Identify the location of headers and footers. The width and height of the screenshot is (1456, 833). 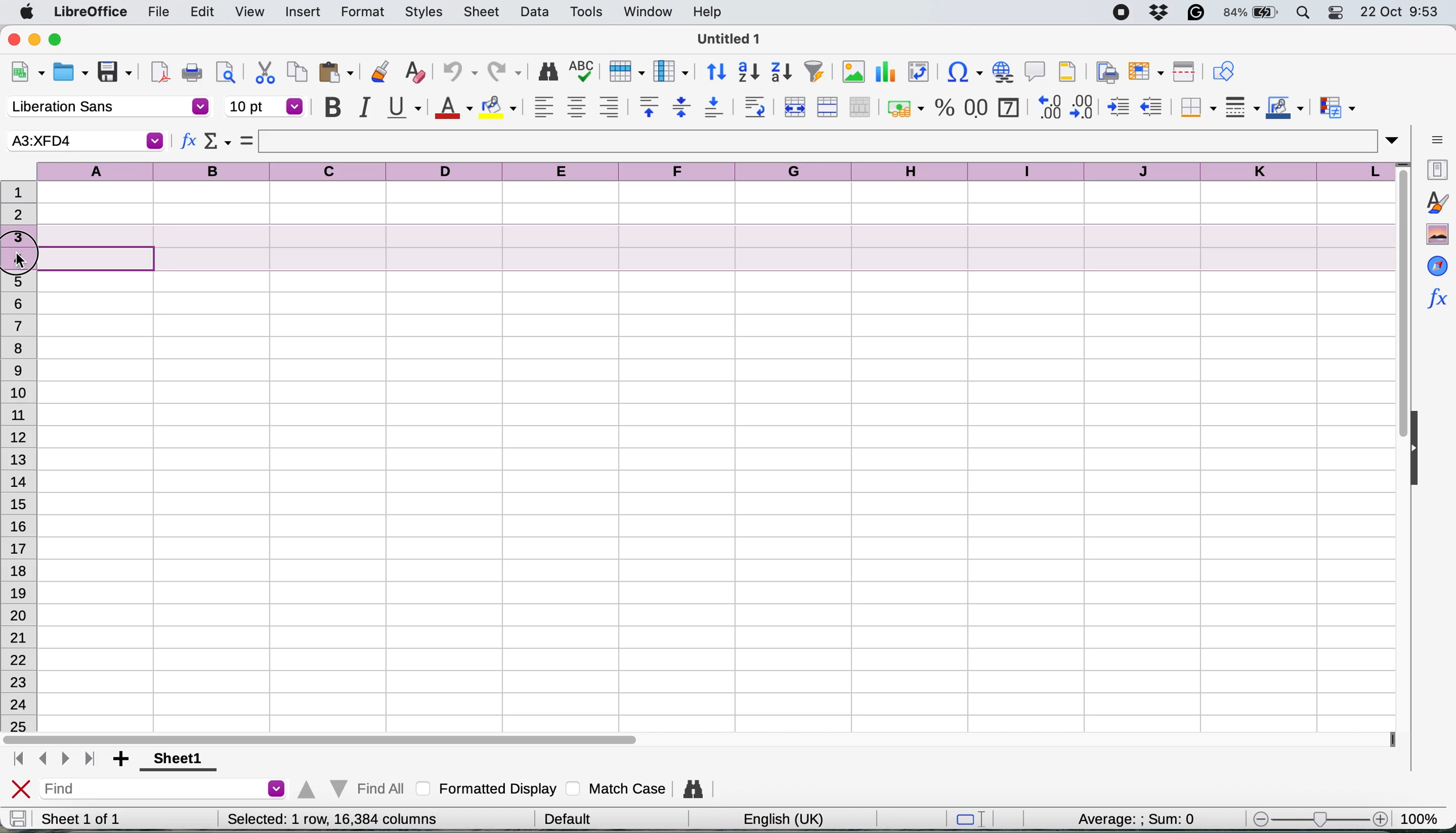
(1068, 72).